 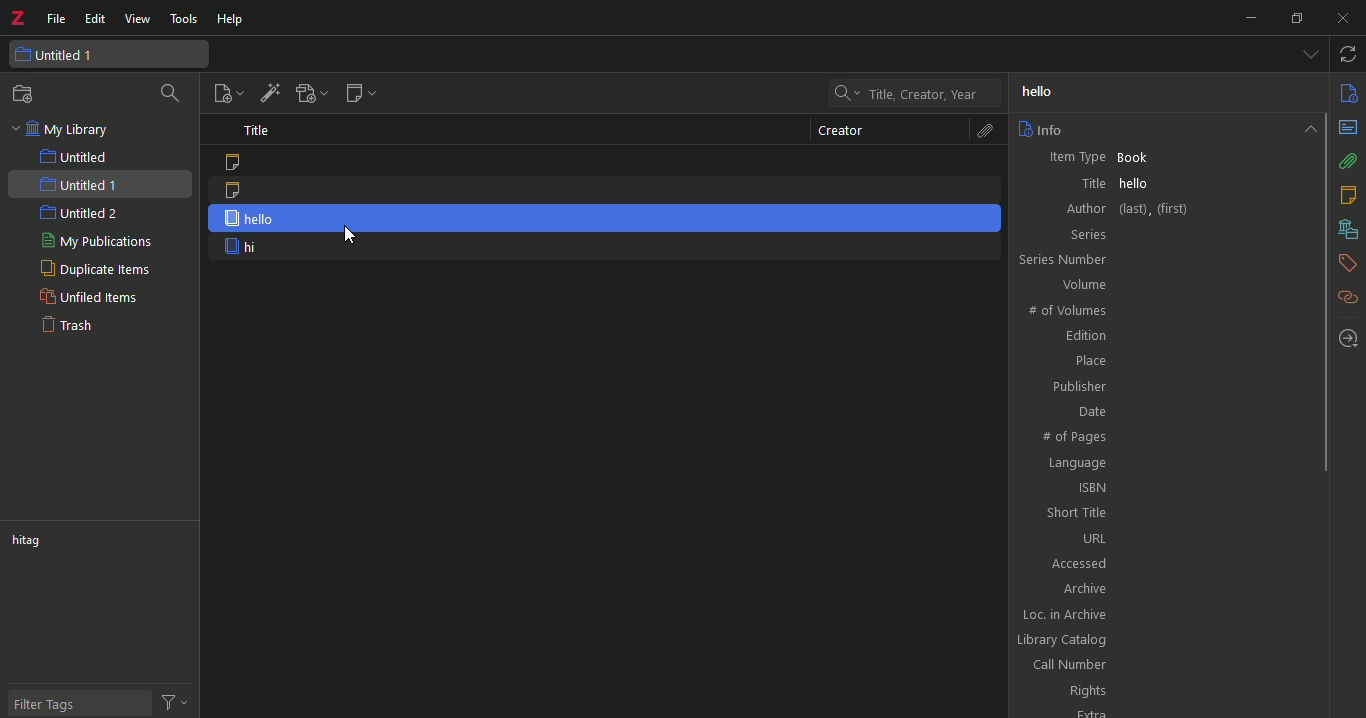 What do you see at coordinates (56, 21) in the screenshot?
I see `file` at bounding box center [56, 21].